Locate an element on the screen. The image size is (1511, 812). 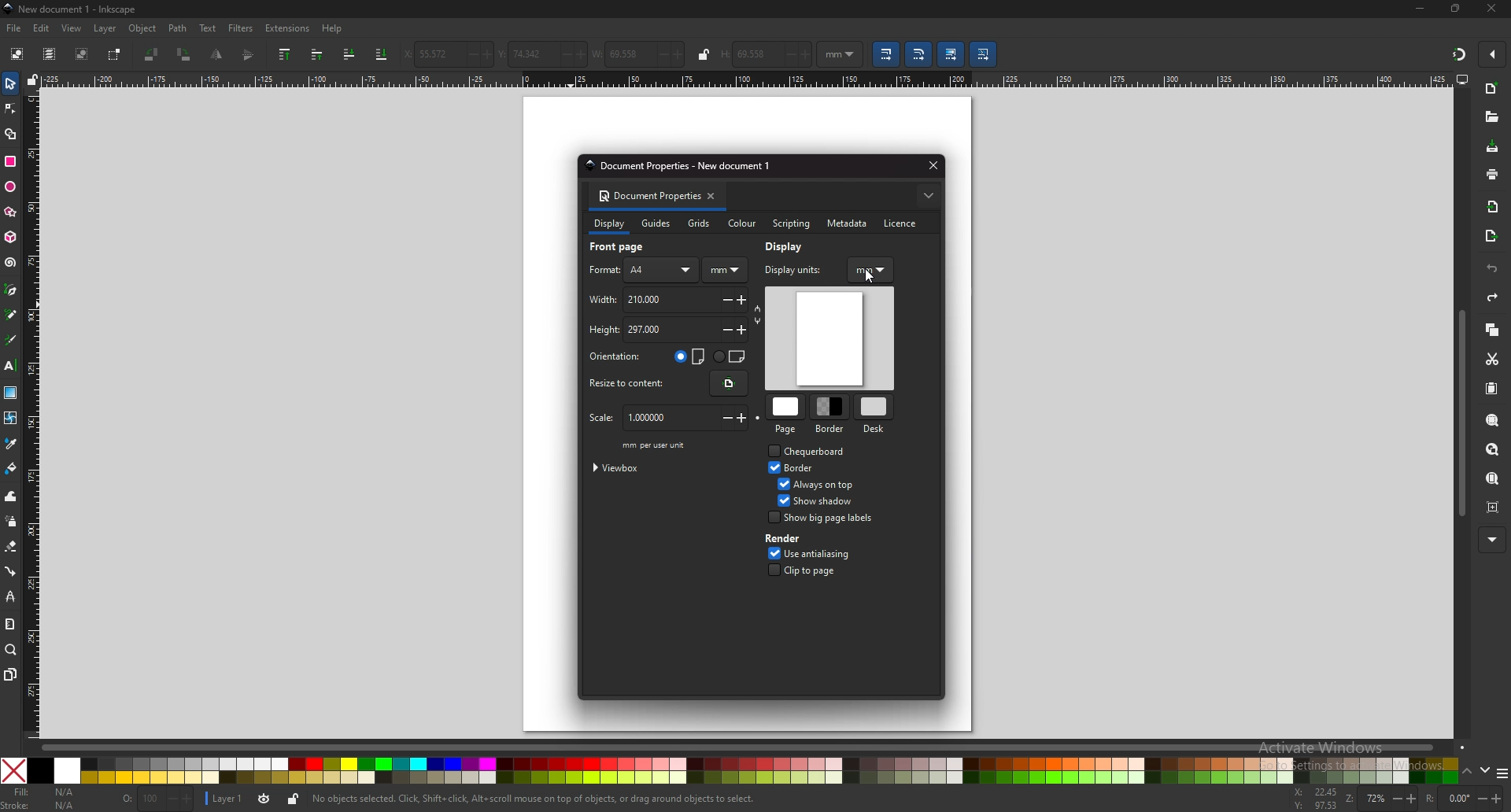
use anti aliasing is located at coordinates (835, 553).